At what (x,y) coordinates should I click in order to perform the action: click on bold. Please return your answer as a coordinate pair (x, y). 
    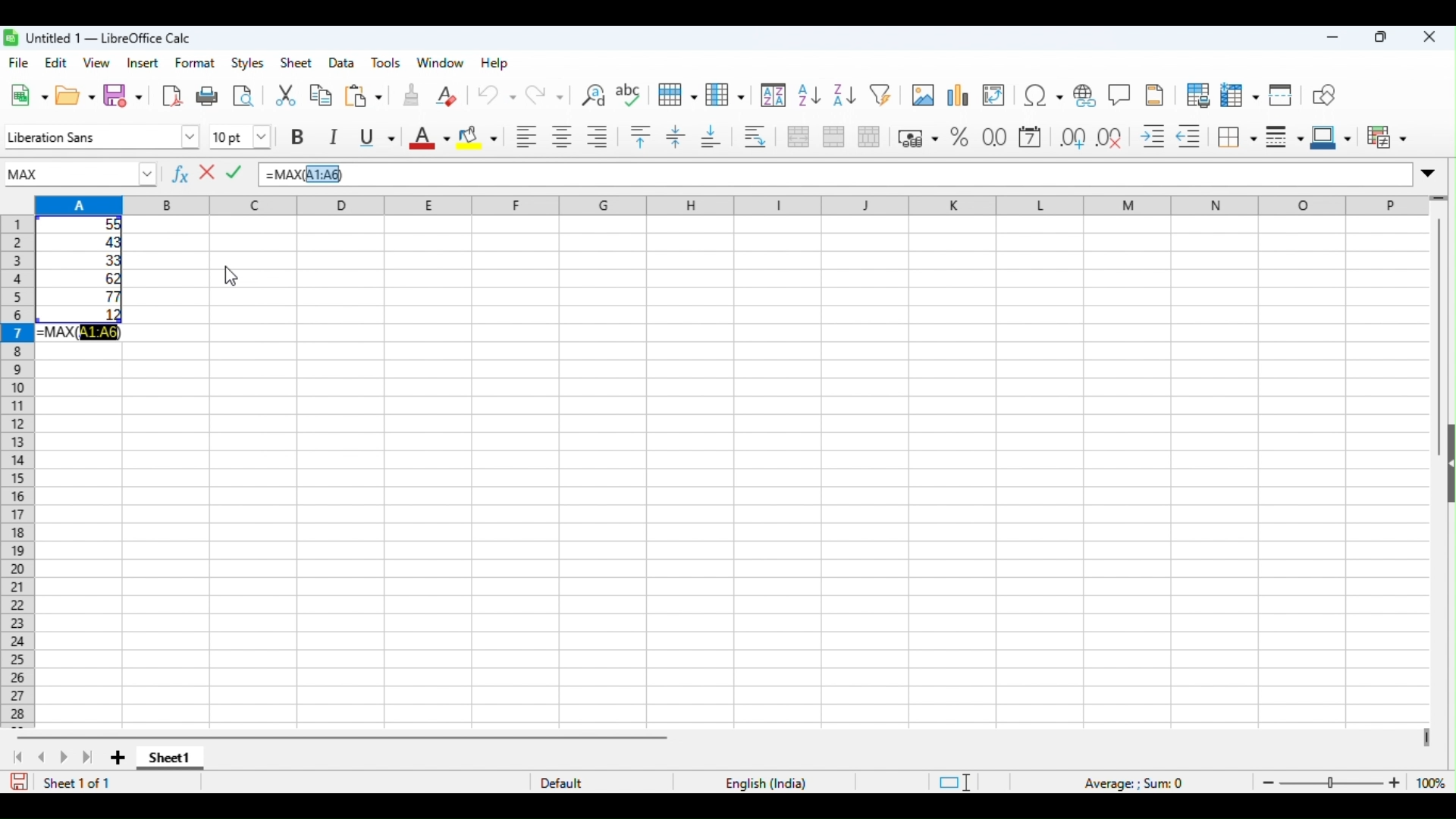
    Looking at the image, I should click on (300, 136).